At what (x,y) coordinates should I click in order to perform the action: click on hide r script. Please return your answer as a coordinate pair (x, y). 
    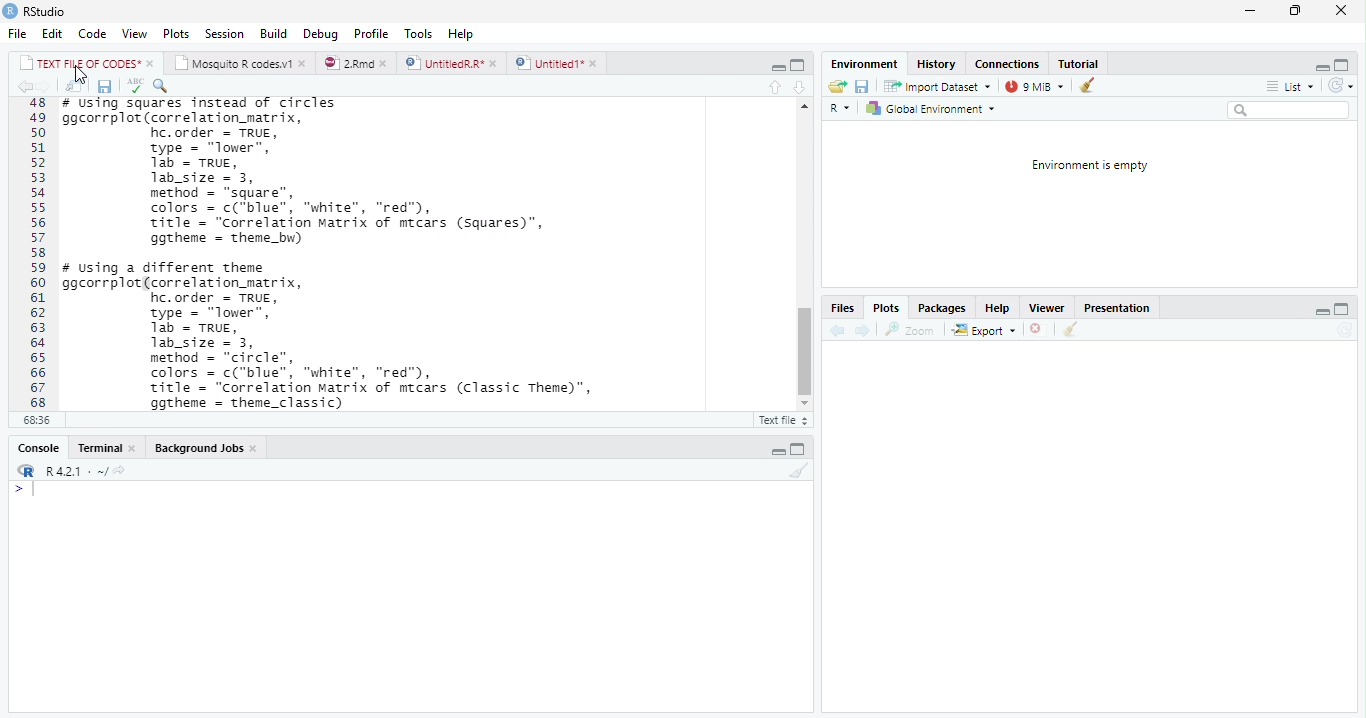
    Looking at the image, I should click on (1321, 66).